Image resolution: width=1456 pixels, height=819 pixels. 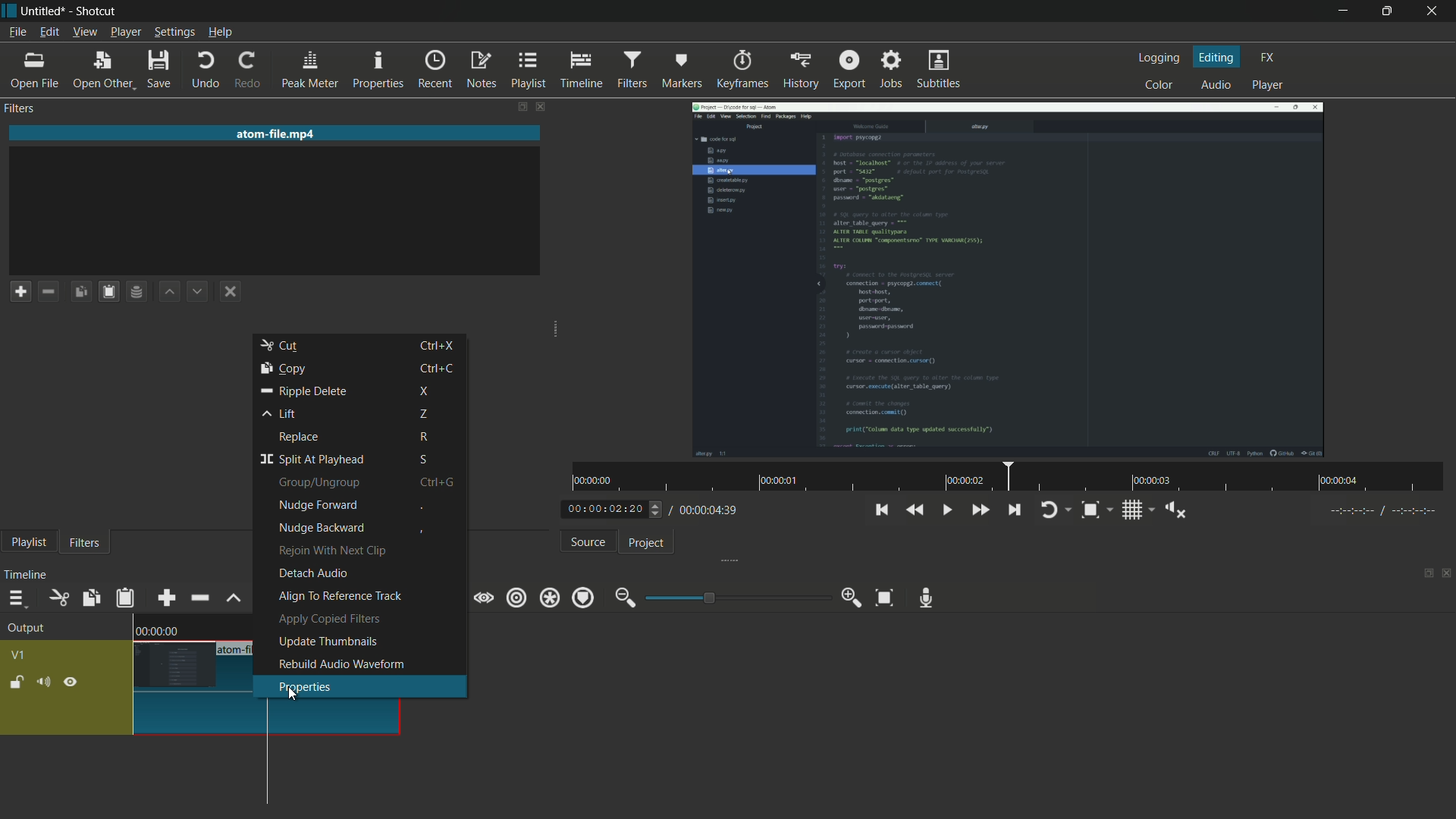 I want to click on filters, so click(x=632, y=69).